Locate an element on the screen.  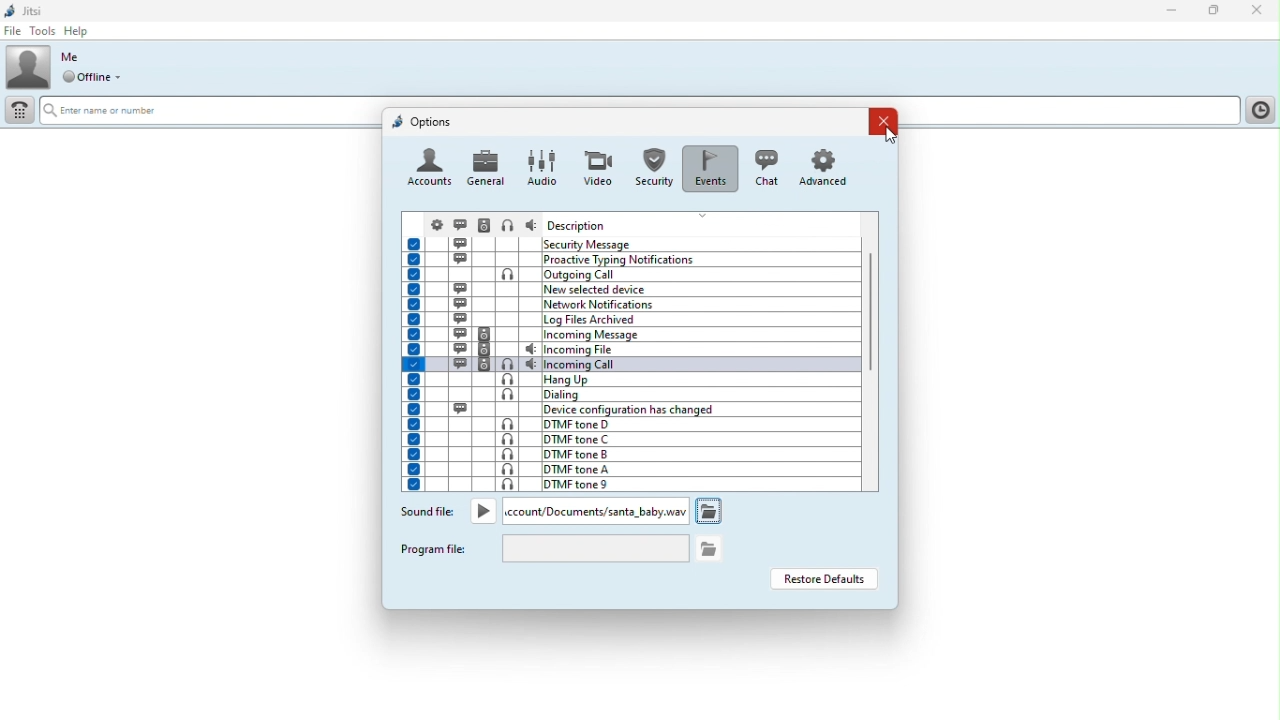
hang up is located at coordinates (629, 380).